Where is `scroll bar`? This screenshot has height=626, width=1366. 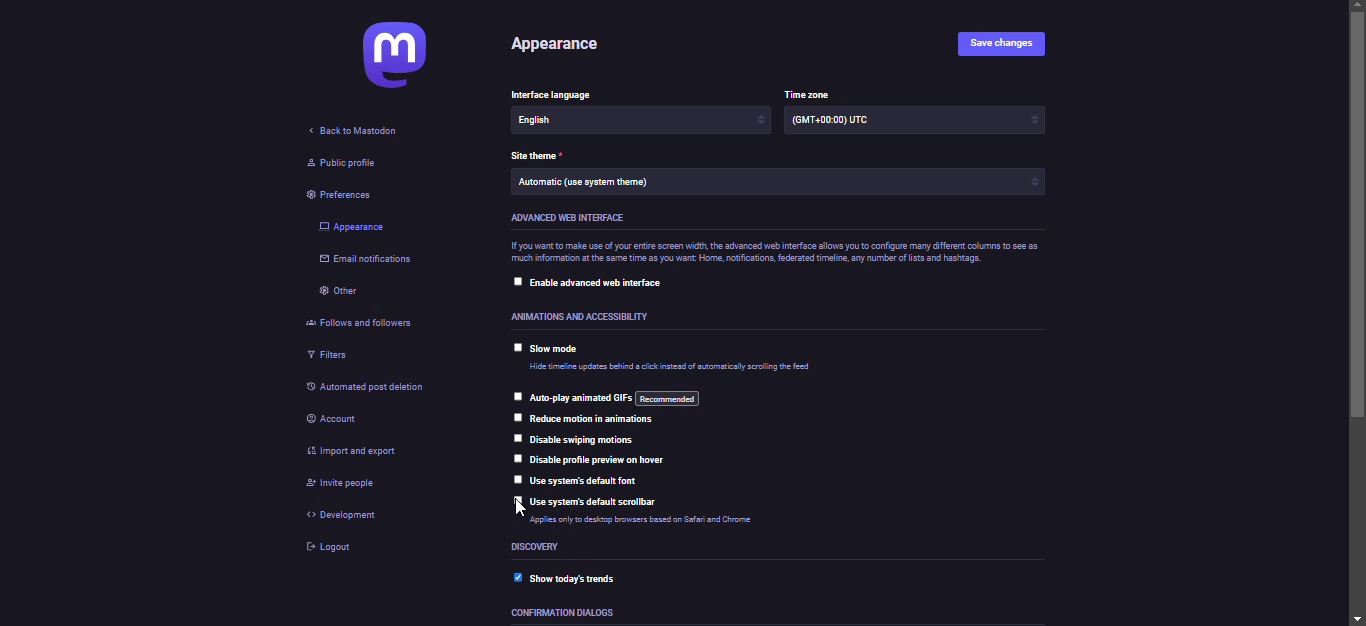 scroll bar is located at coordinates (1357, 310).